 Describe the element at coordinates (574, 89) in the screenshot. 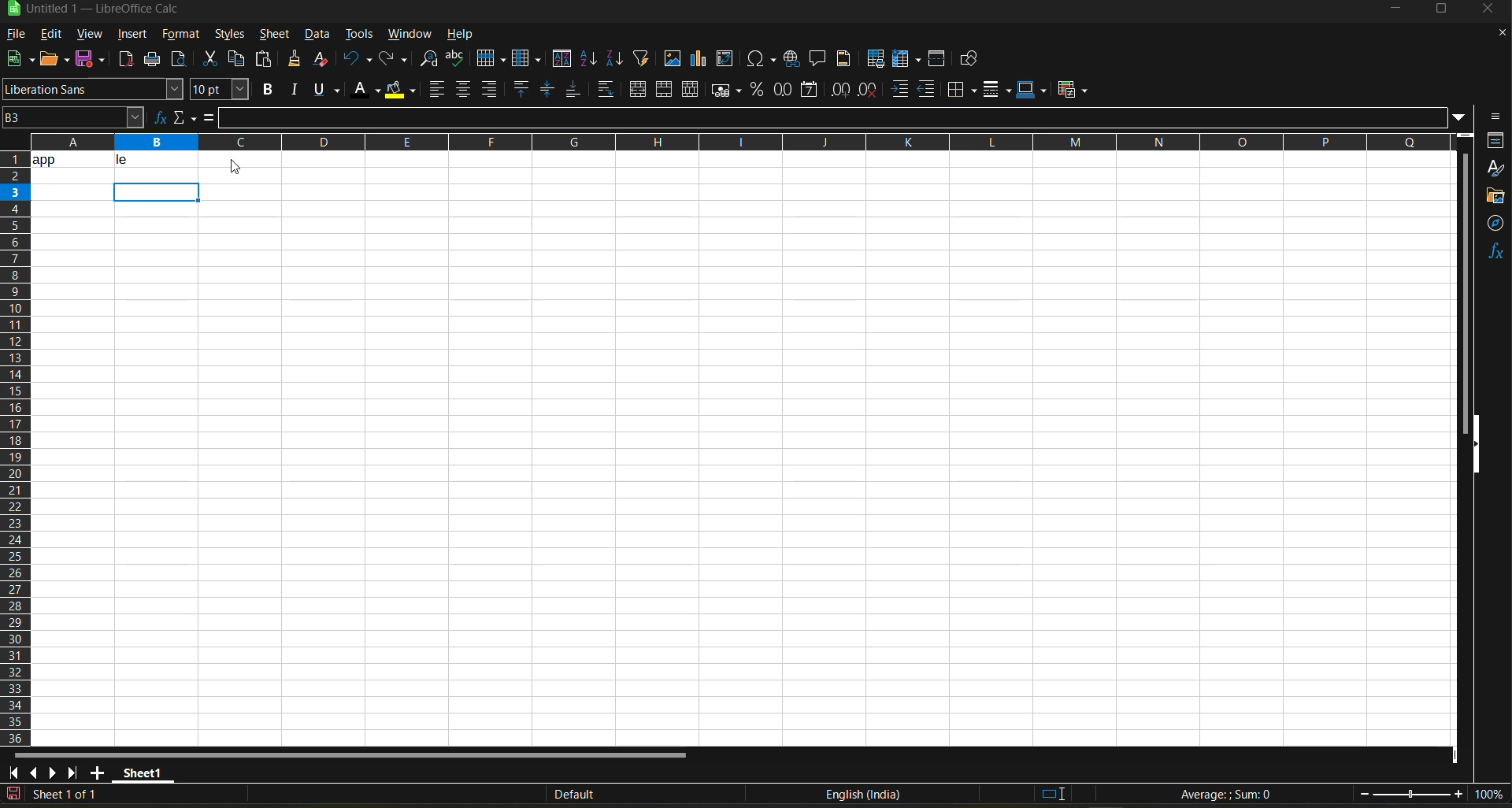

I see `align bottom` at that location.